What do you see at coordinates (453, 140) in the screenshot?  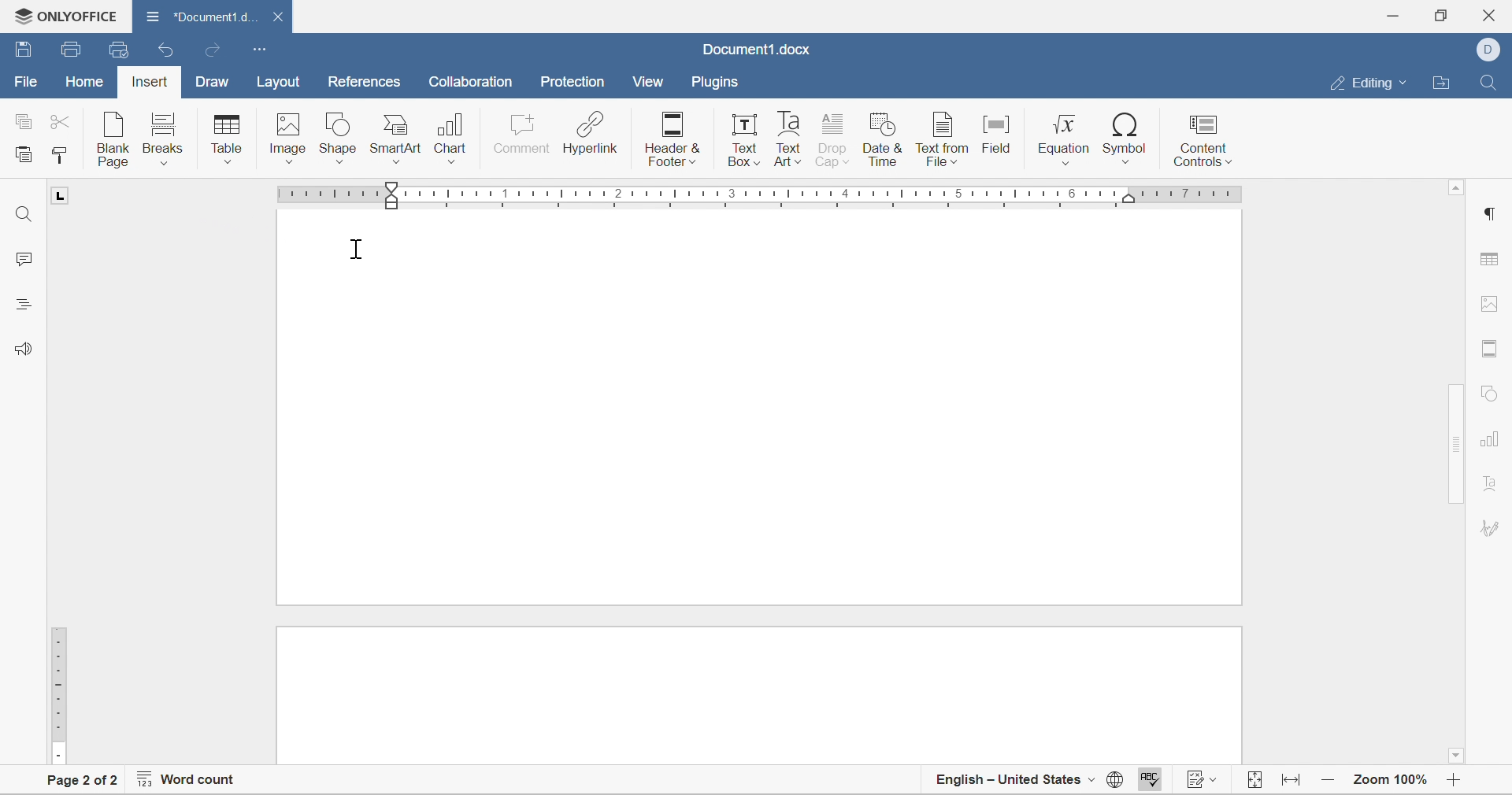 I see `Chart` at bounding box center [453, 140].